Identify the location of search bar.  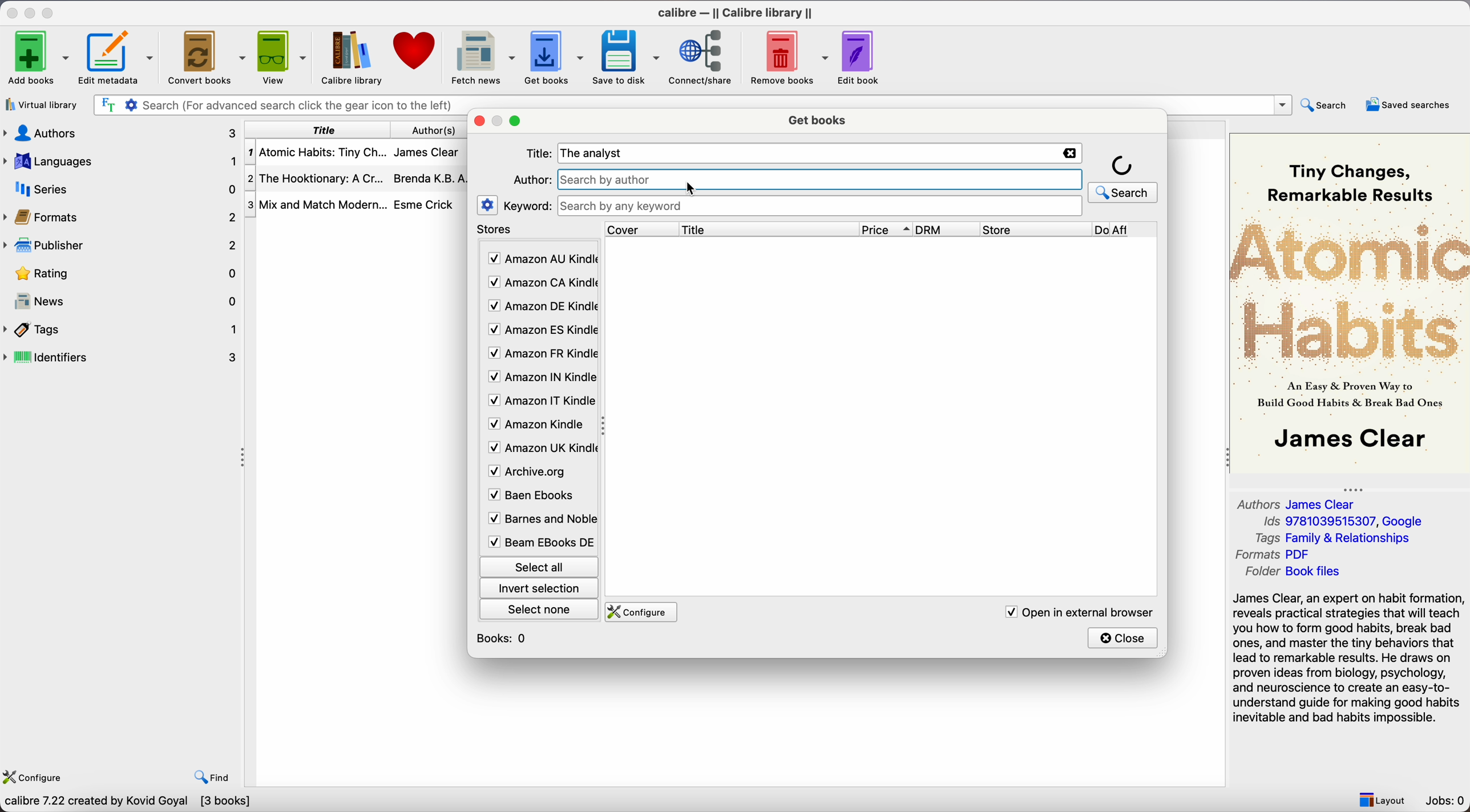
(689, 103).